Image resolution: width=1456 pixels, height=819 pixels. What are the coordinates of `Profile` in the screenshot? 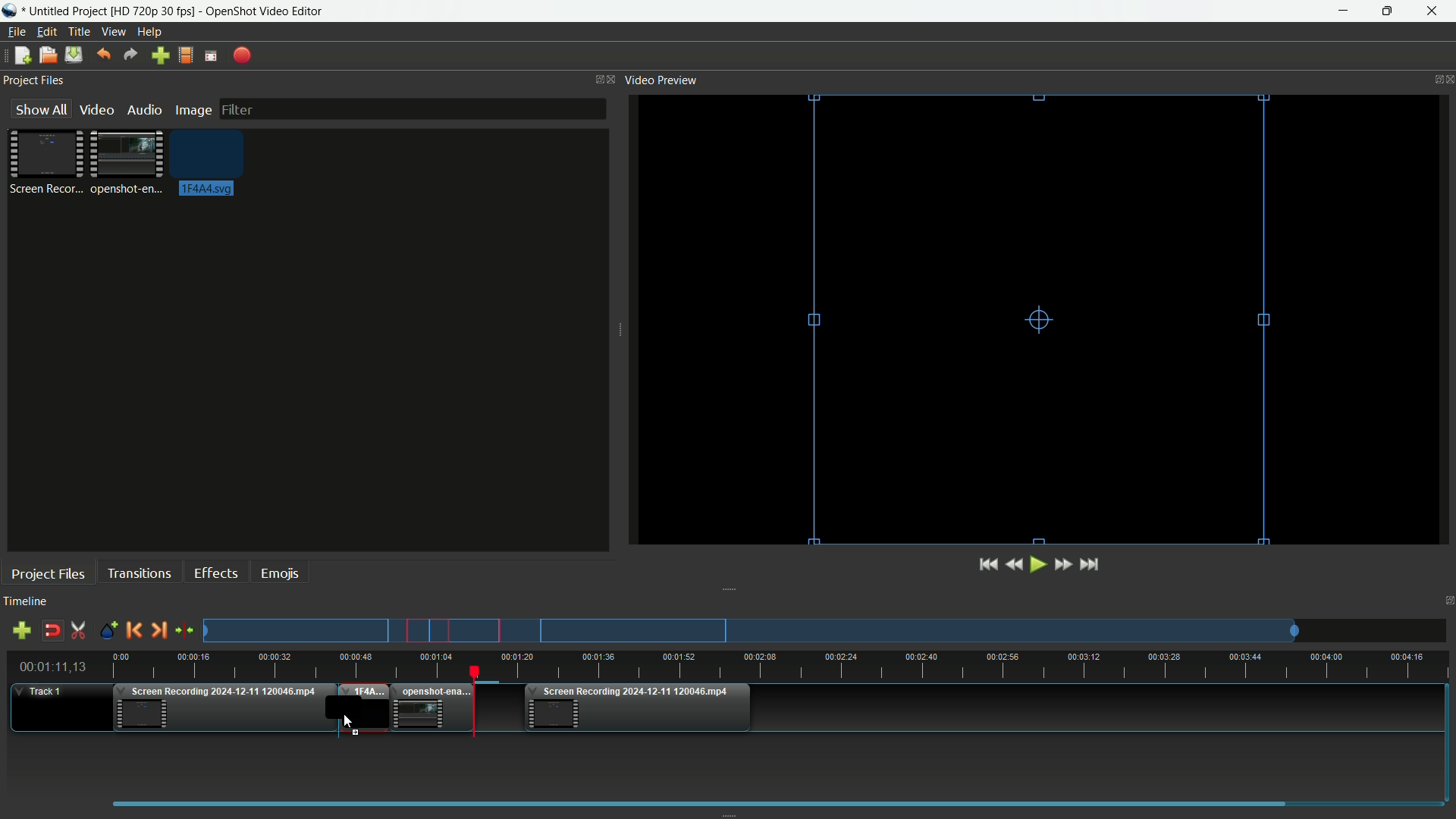 It's located at (184, 57).